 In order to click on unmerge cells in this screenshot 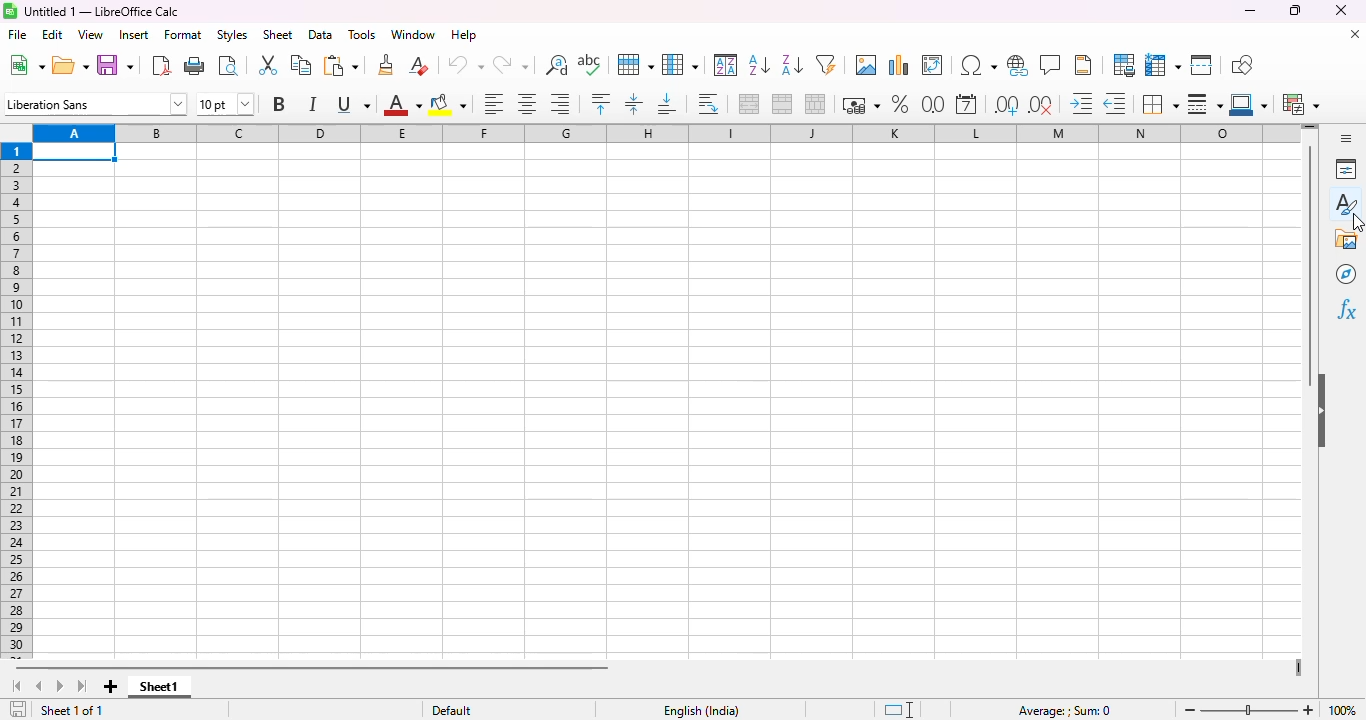, I will do `click(815, 104)`.